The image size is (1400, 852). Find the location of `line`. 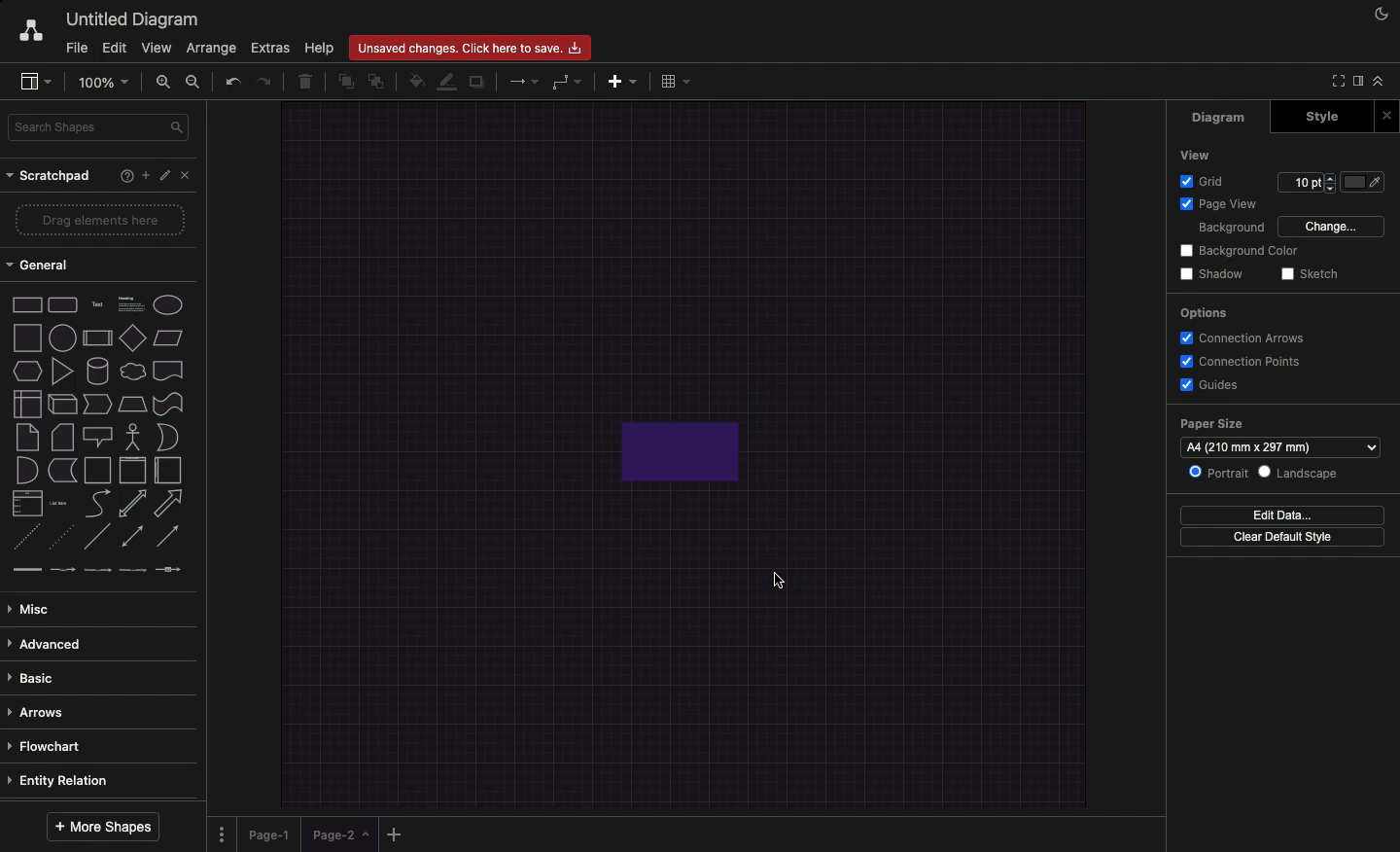

line is located at coordinates (97, 536).